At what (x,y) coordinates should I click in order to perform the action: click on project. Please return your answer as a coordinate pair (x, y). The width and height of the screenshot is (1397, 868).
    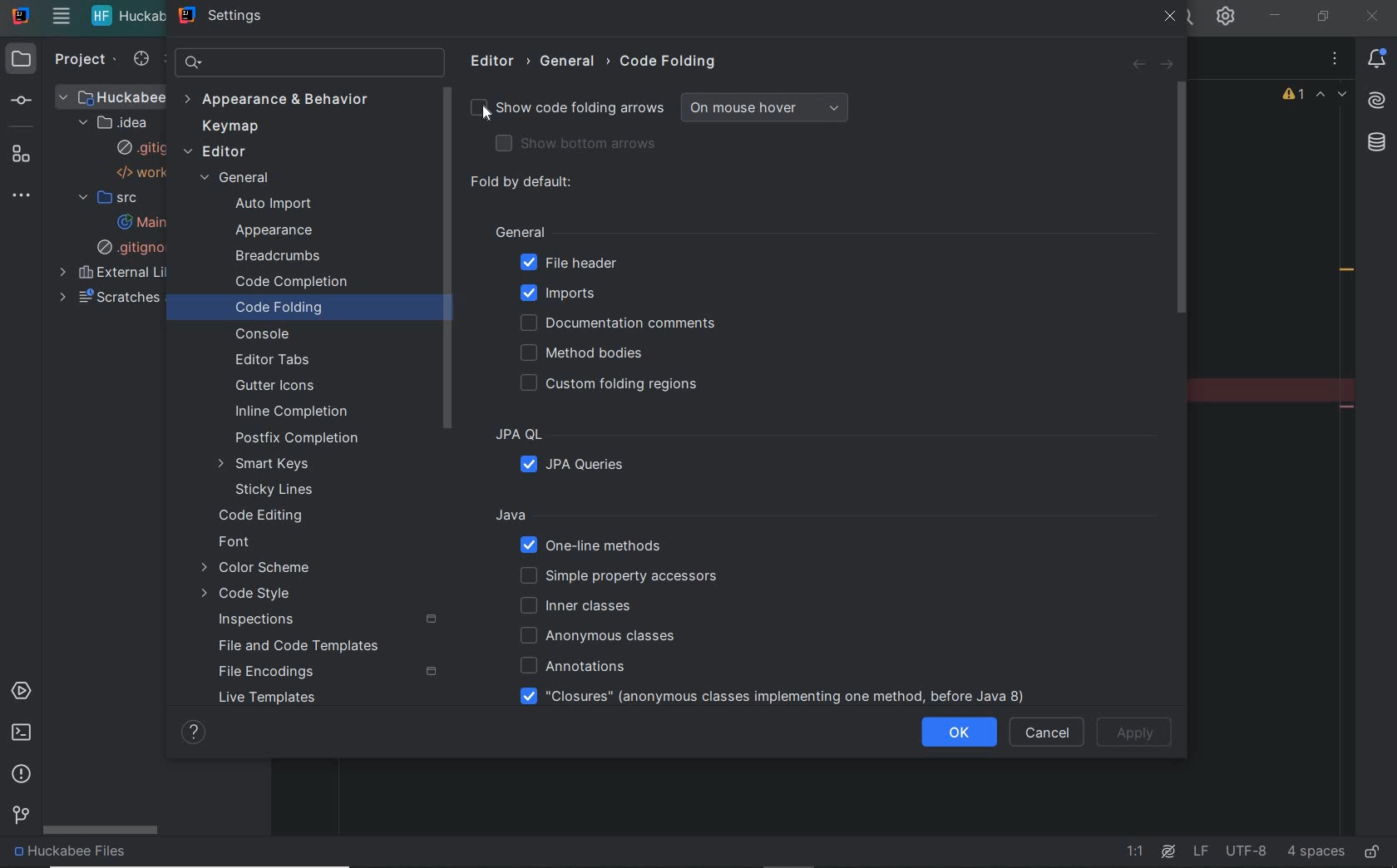
    Looking at the image, I should click on (24, 60).